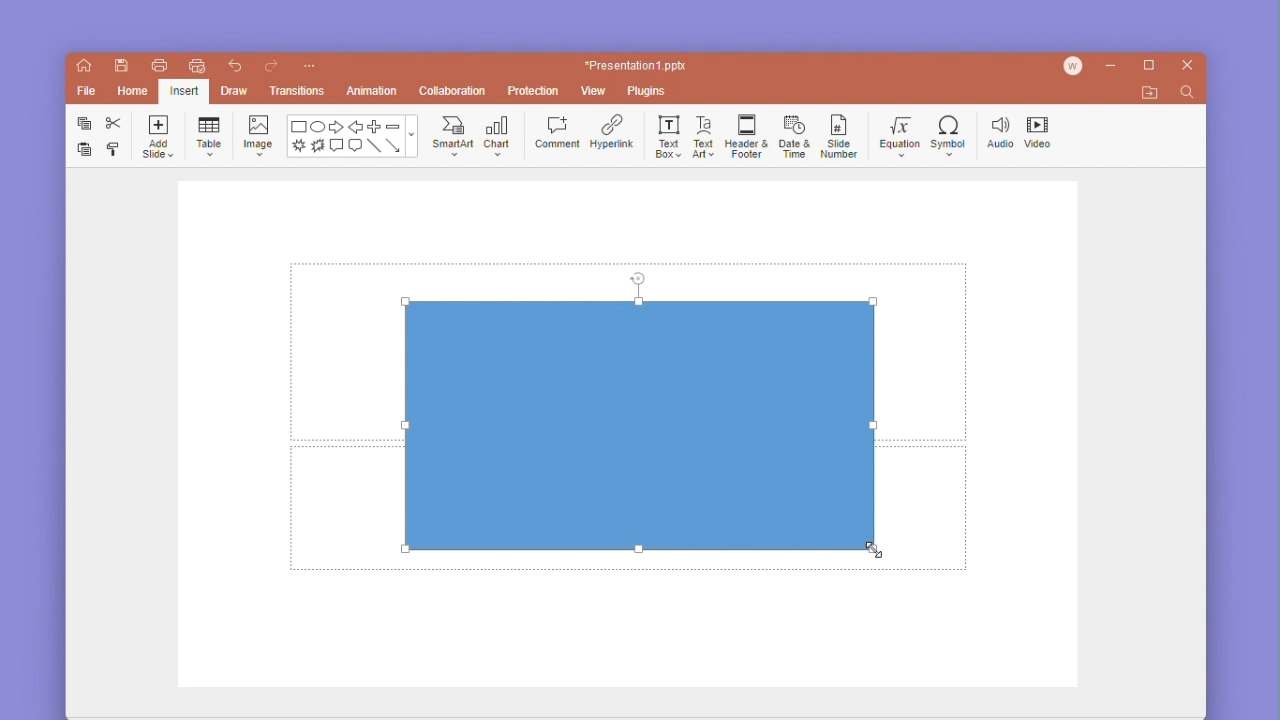  Describe the element at coordinates (745, 135) in the screenshot. I see `header & footer` at that location.